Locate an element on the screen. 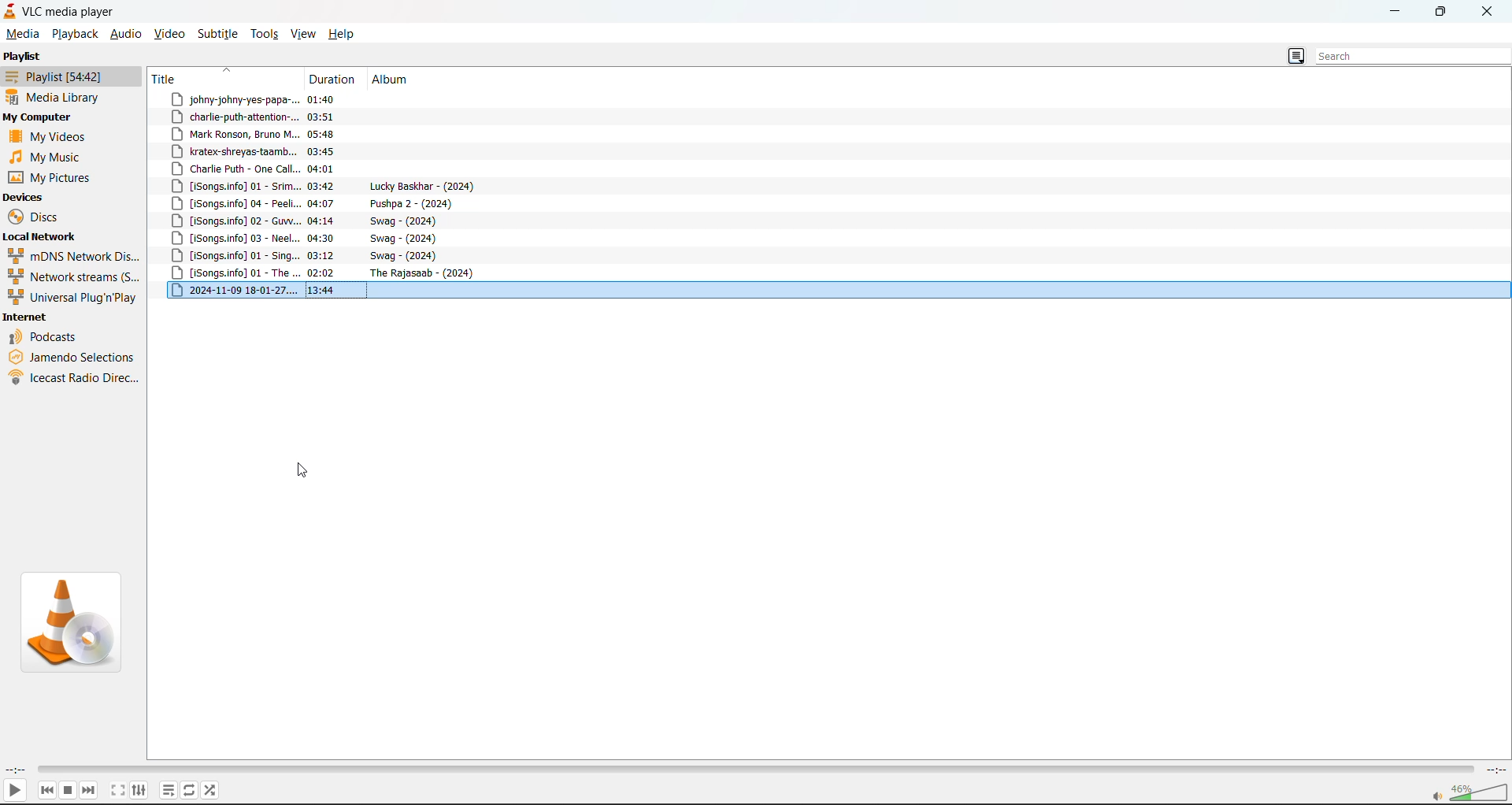  playlist is located at coordinates (64, 76).